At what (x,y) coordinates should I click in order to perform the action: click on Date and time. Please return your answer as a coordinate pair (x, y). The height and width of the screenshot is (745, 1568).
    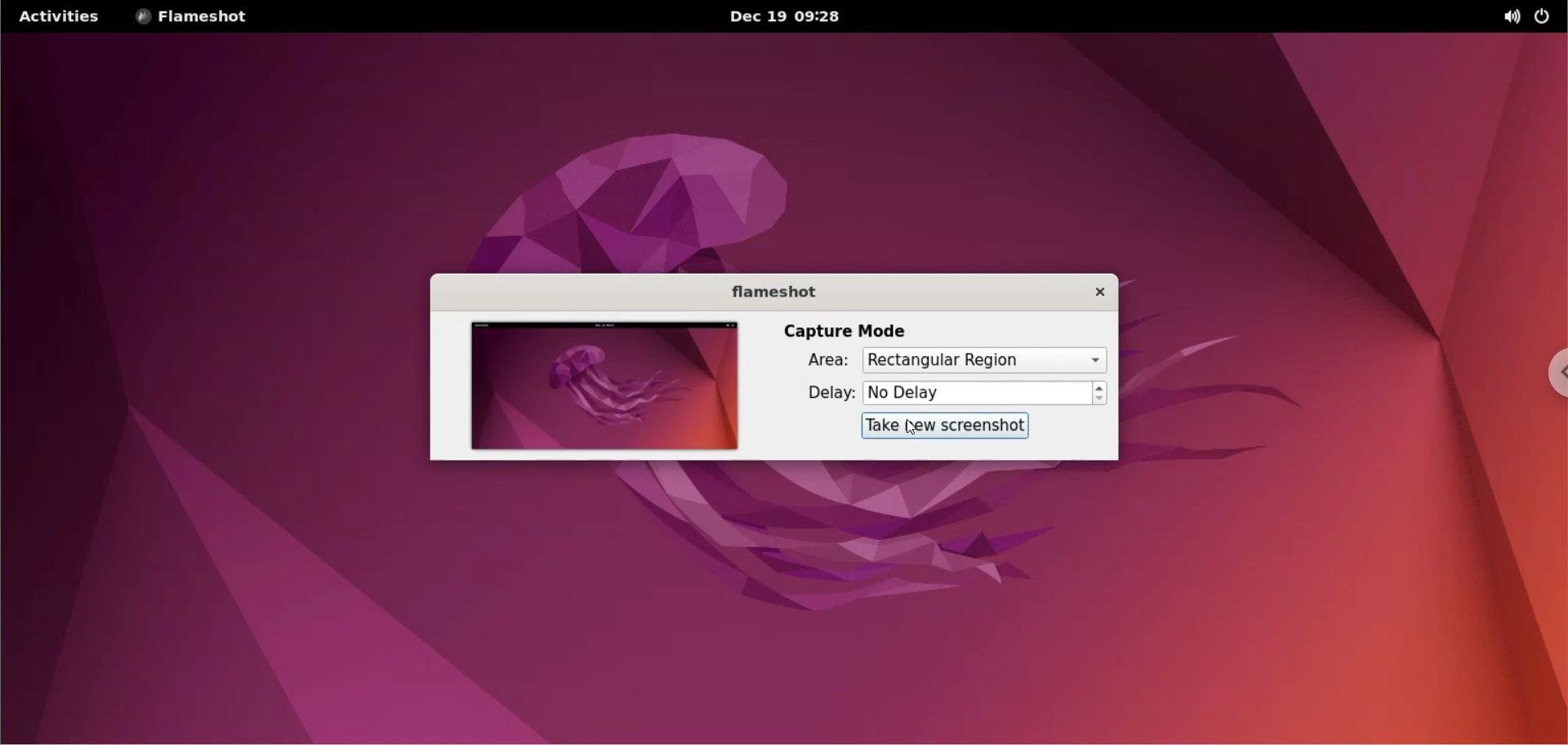
    Looking at the image, I should click on (782, 18).